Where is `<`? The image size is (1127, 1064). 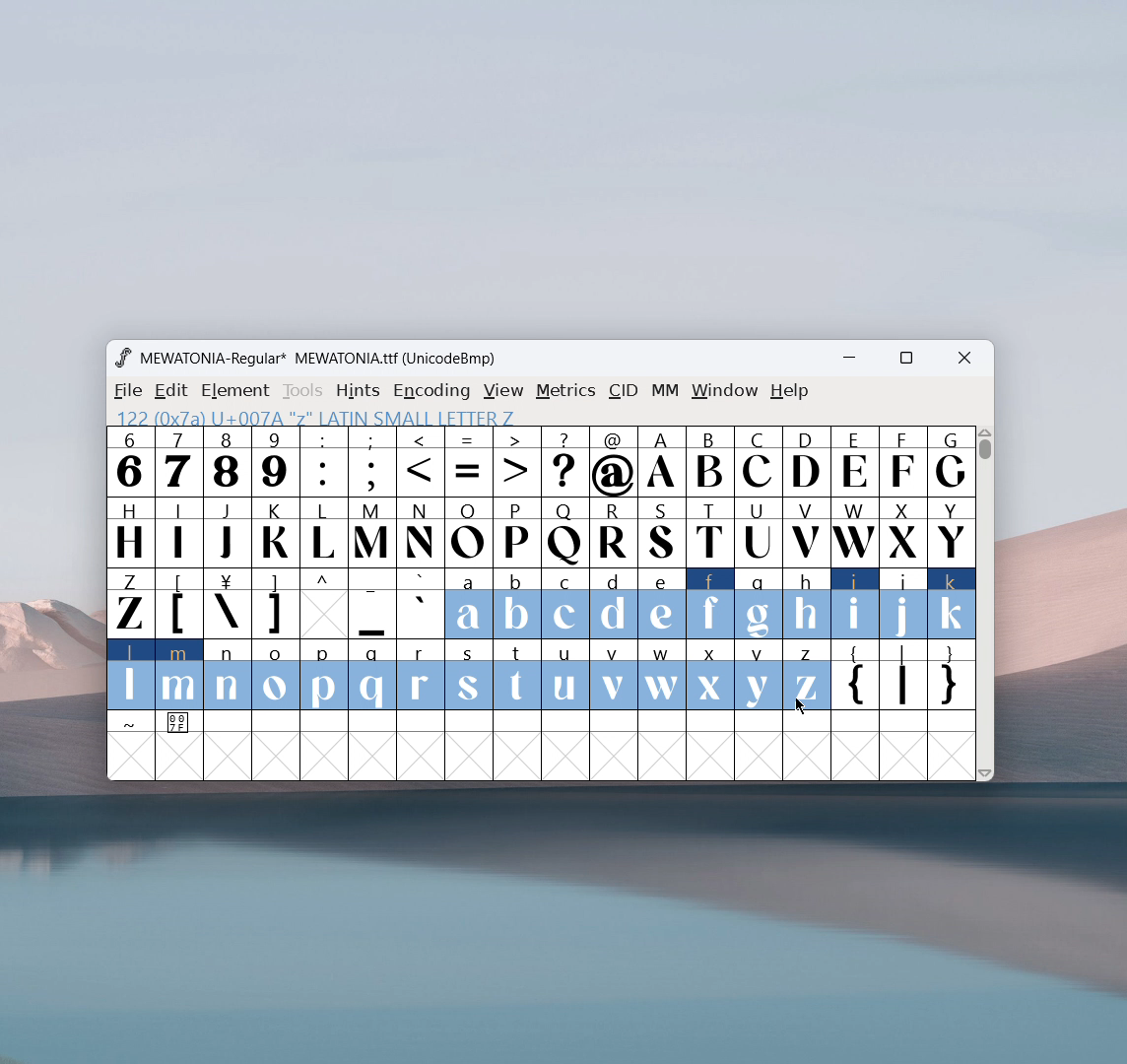 < is located at coordinates (423, 463).